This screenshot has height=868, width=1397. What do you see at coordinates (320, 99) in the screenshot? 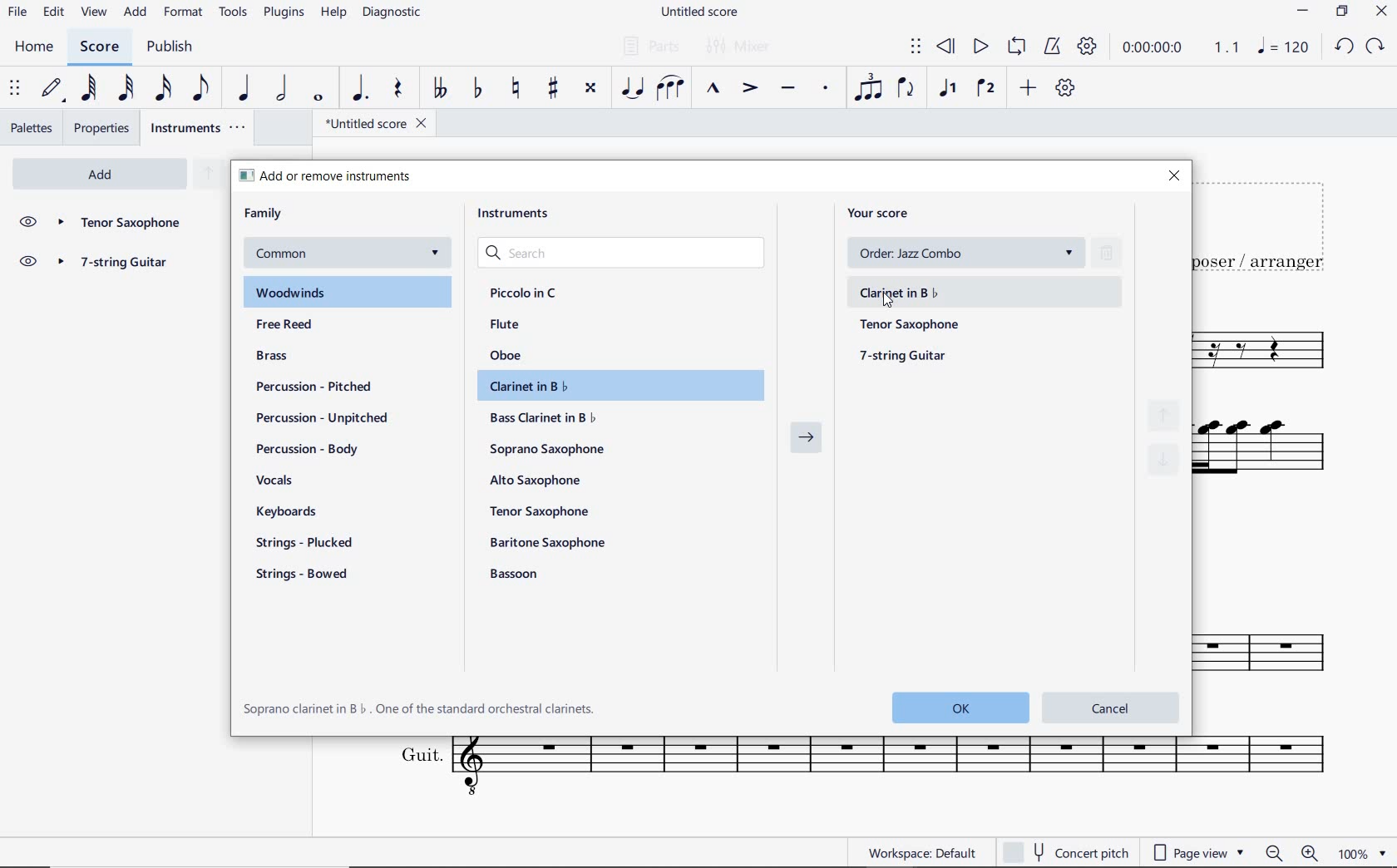
I see `WHOLE NOTE` at bounding box center [320, 99].